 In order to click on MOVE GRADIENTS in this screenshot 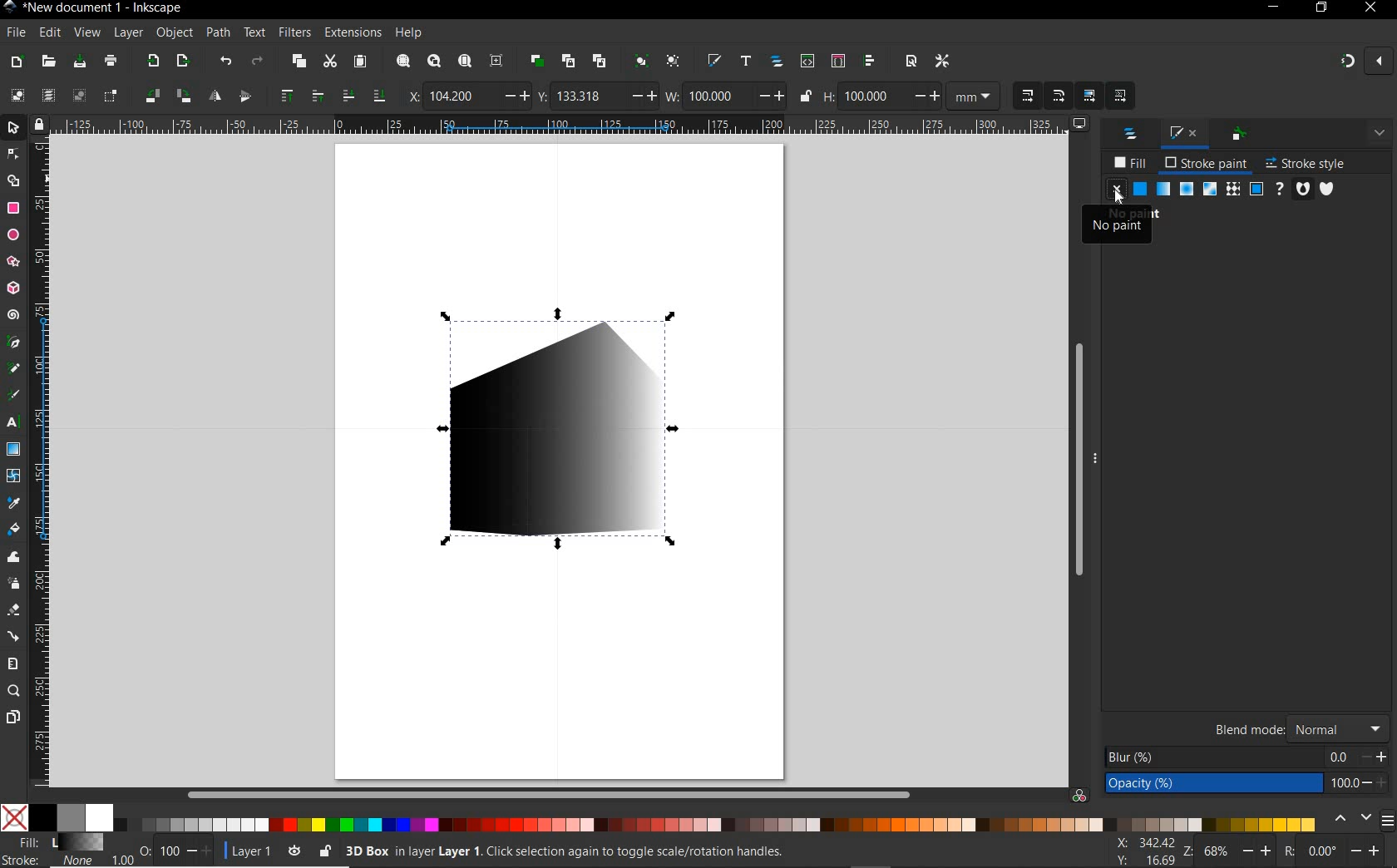, I will do `click(1090, 94)`.